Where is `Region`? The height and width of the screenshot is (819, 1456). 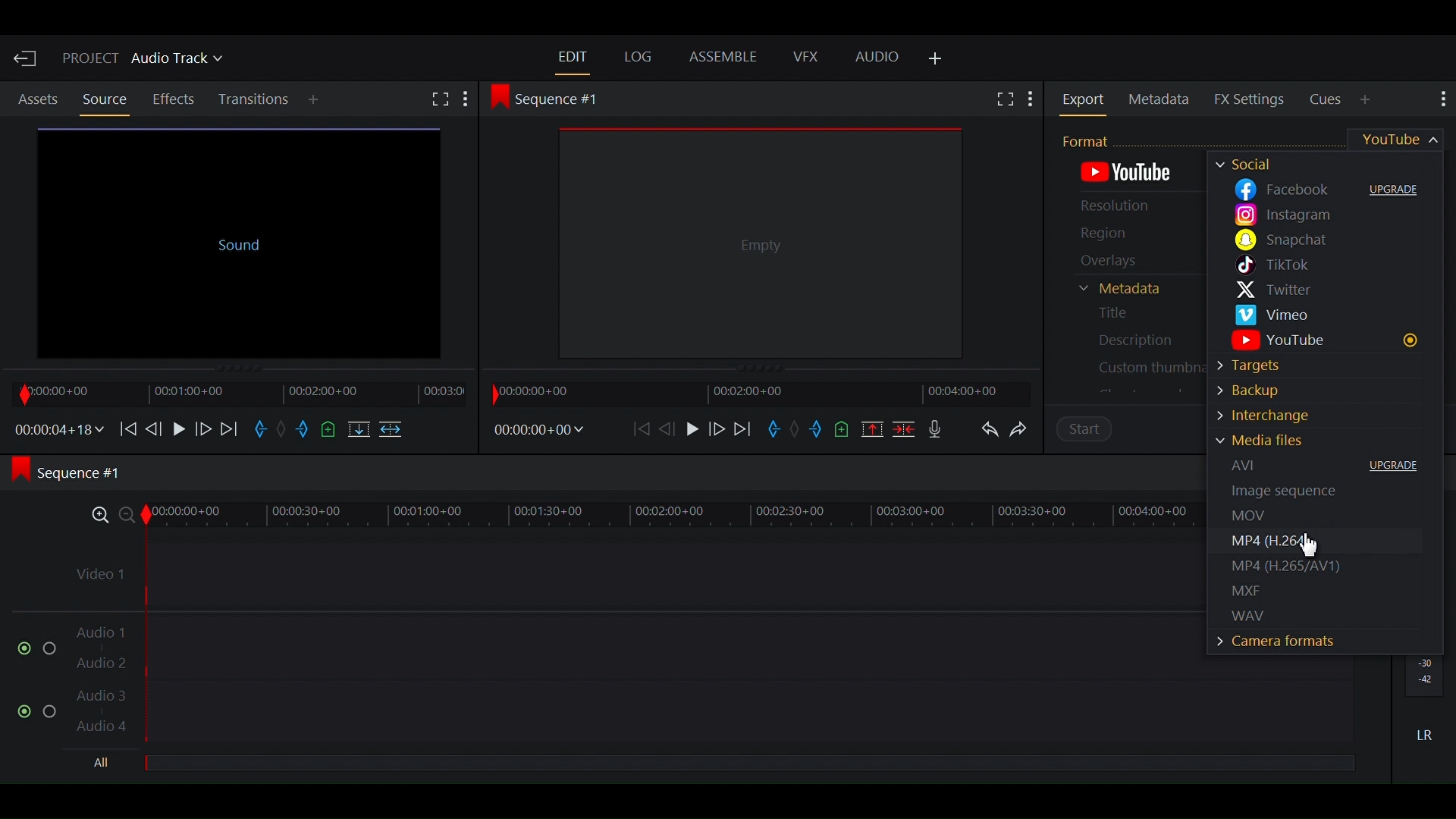
Region is located at coordinates (1127, 235).